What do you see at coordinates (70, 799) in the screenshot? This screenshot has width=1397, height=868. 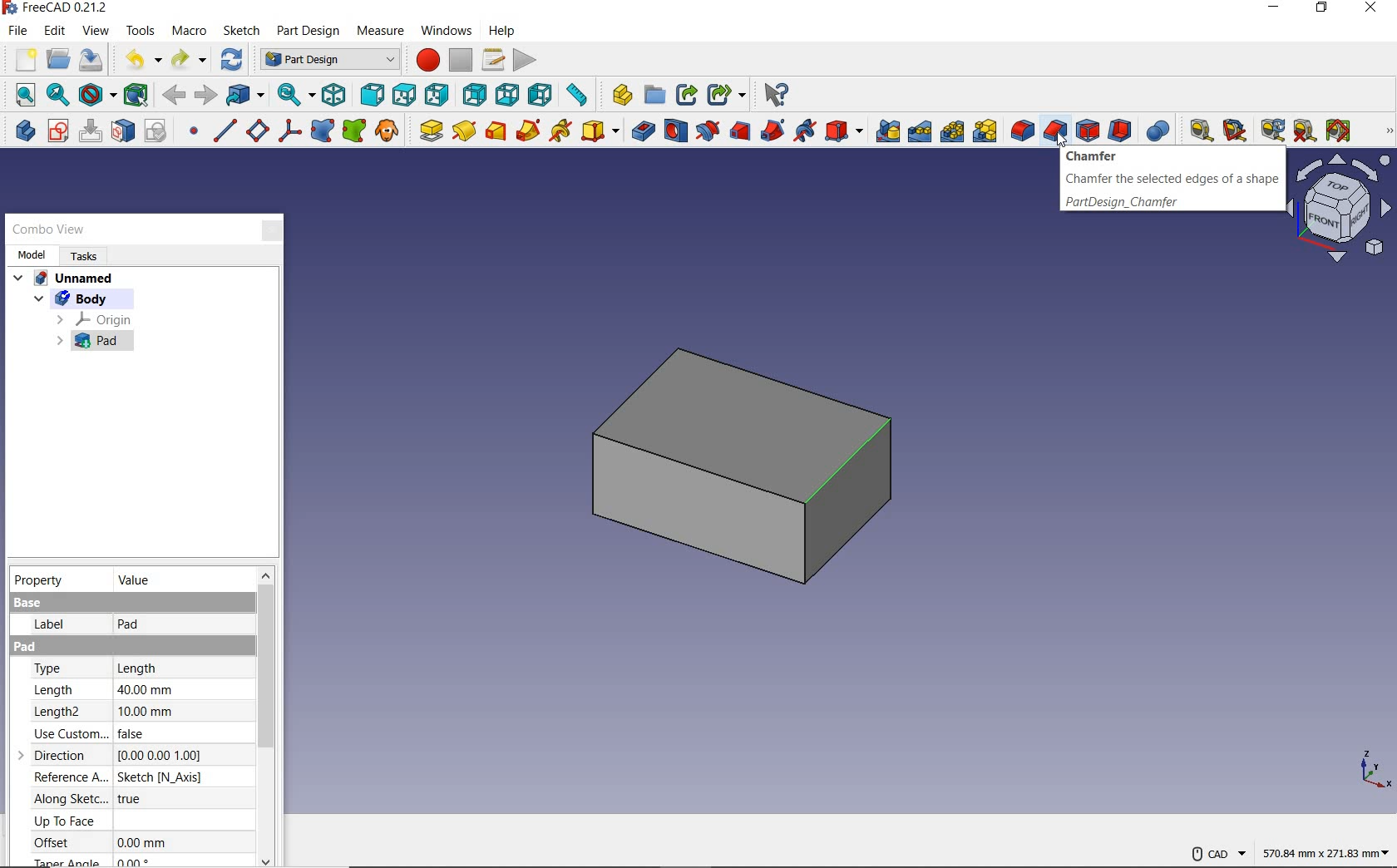 I see `Along sketch` at bounding box center [70, 799].